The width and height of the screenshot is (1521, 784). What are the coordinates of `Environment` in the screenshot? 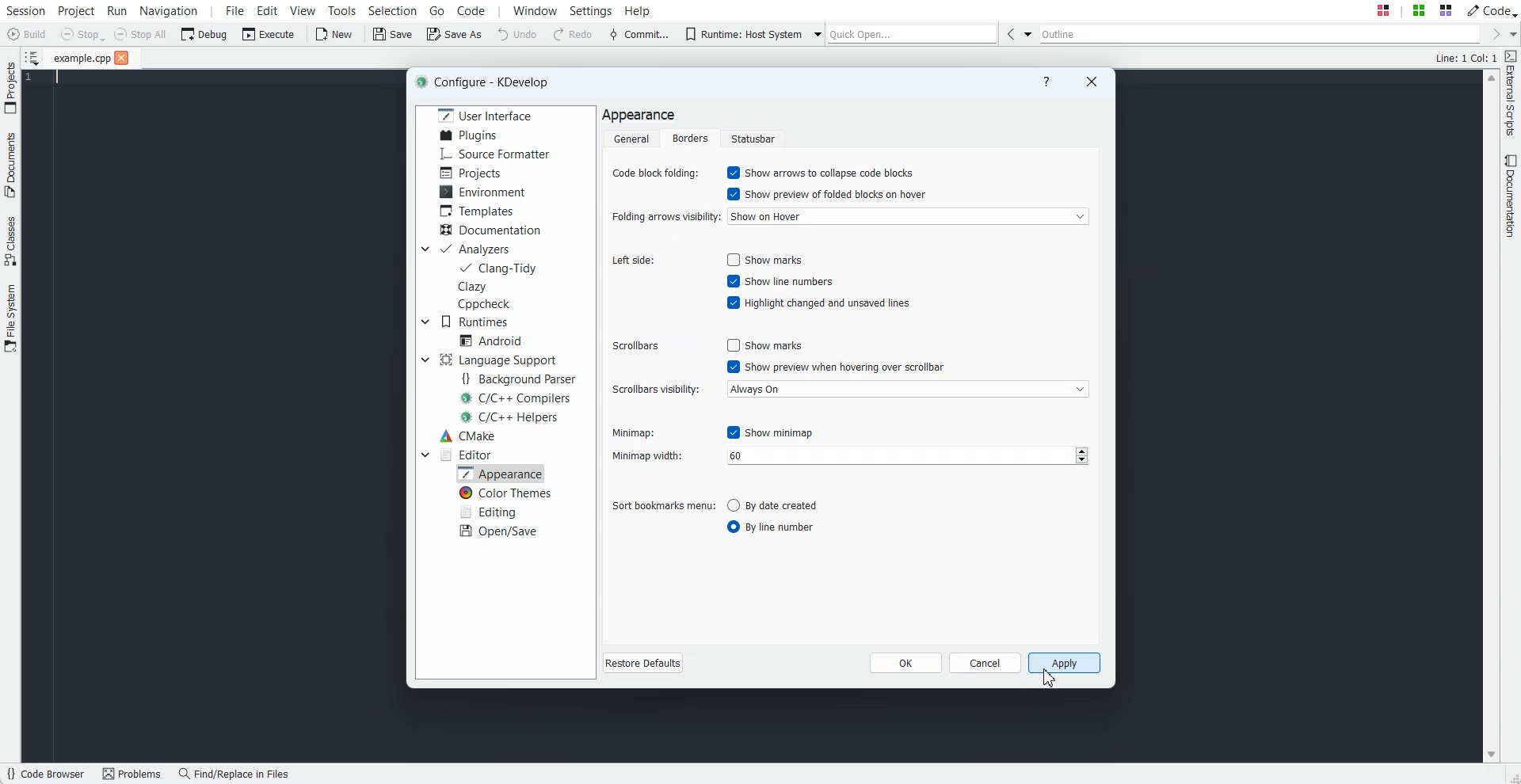 It's located at (481, 192).